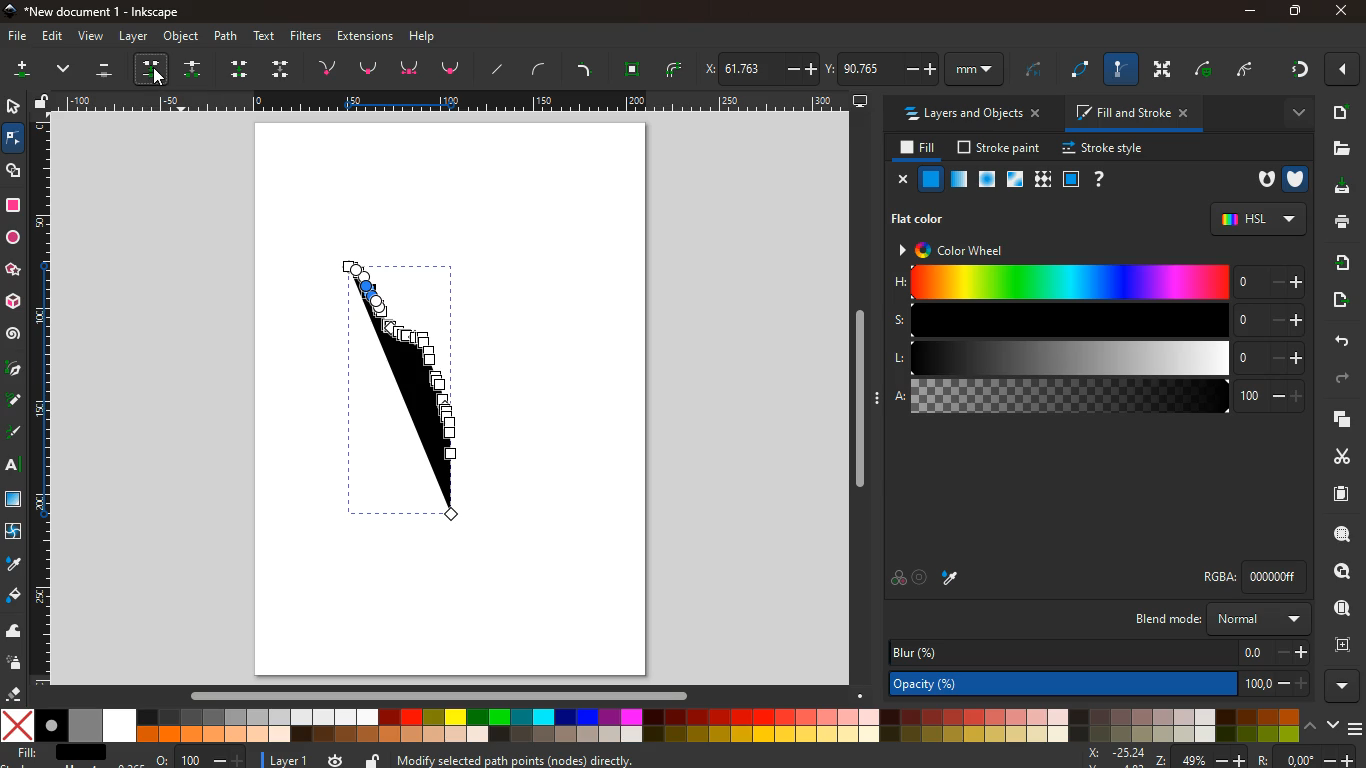 This screenshot has width=1366, height=768. What do you see at coordinates (500, 69) in the screenshot?
I see `diagonal` at bounding box center [500, 69].